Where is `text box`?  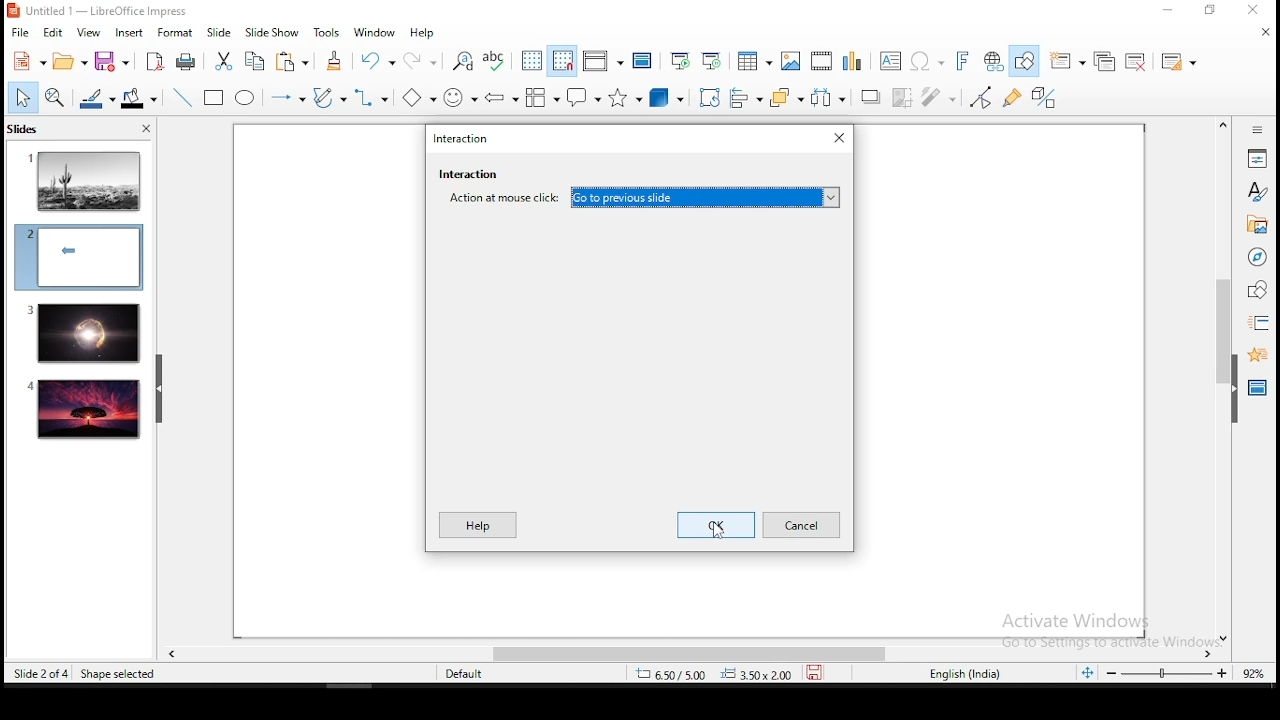 text box is located at coordinates (888, 61).